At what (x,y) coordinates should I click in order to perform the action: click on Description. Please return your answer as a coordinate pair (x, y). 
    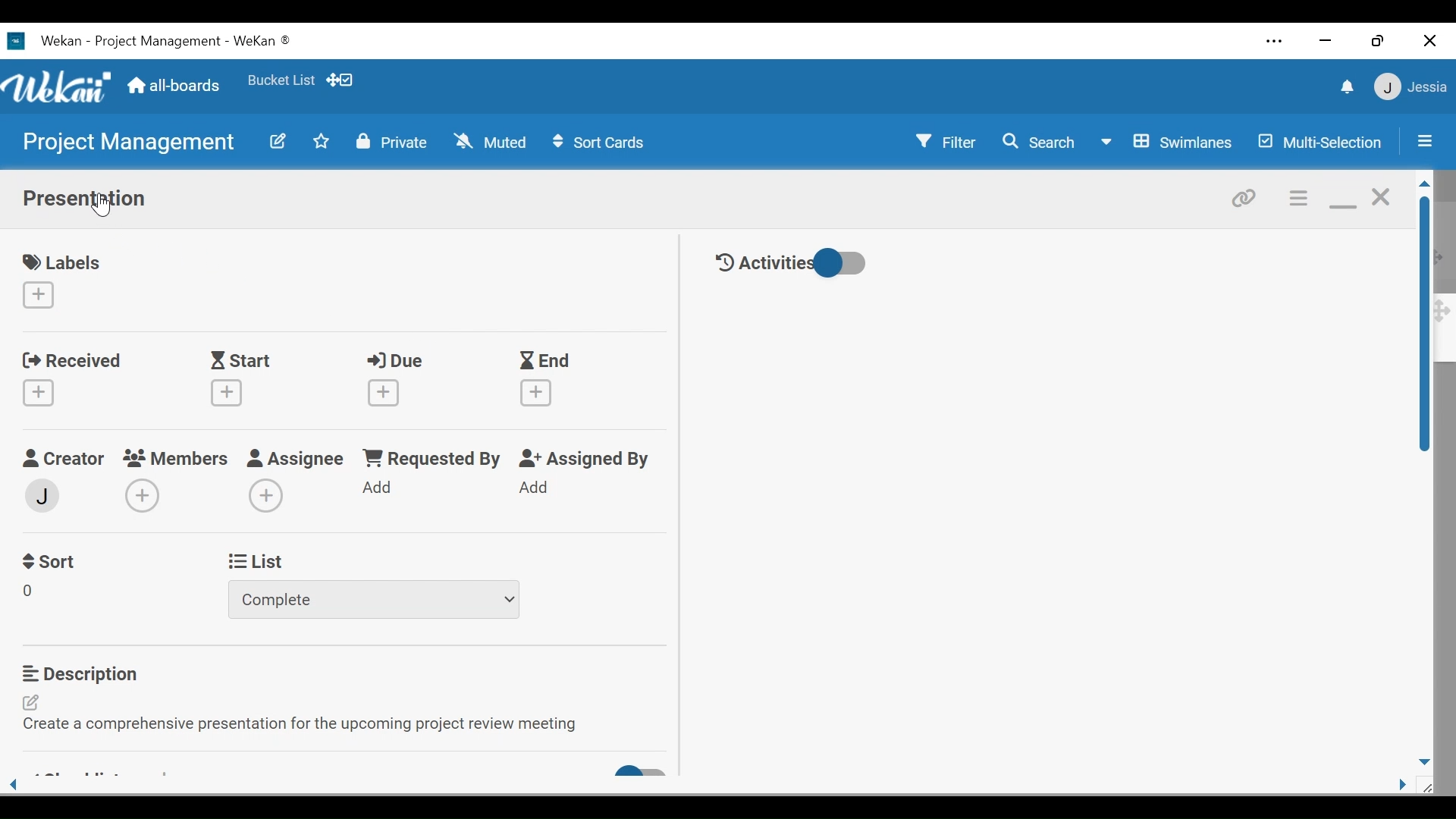
    Looking at the image, I should click on (117, 674).